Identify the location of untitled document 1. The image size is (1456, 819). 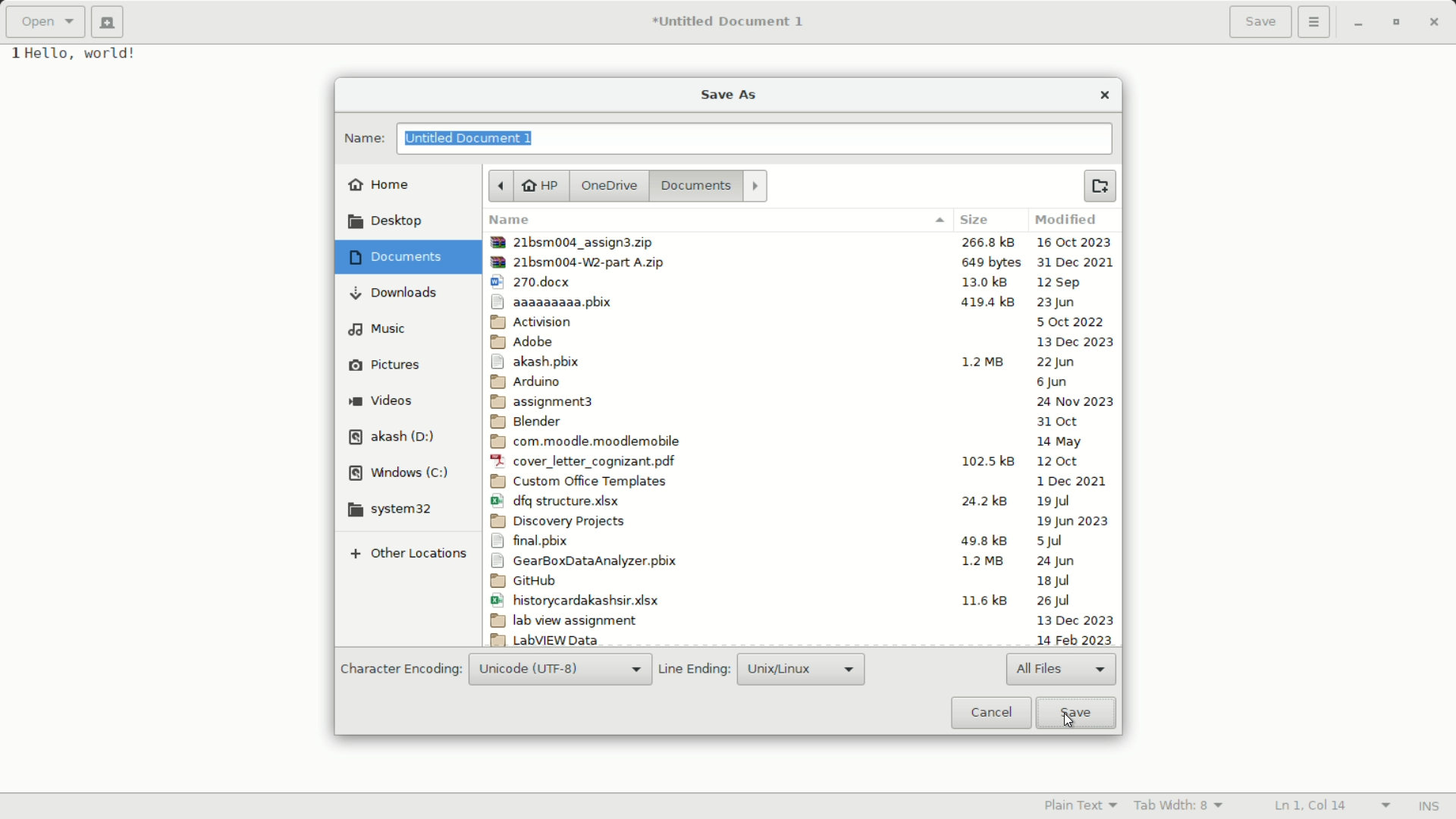
(472, 137).